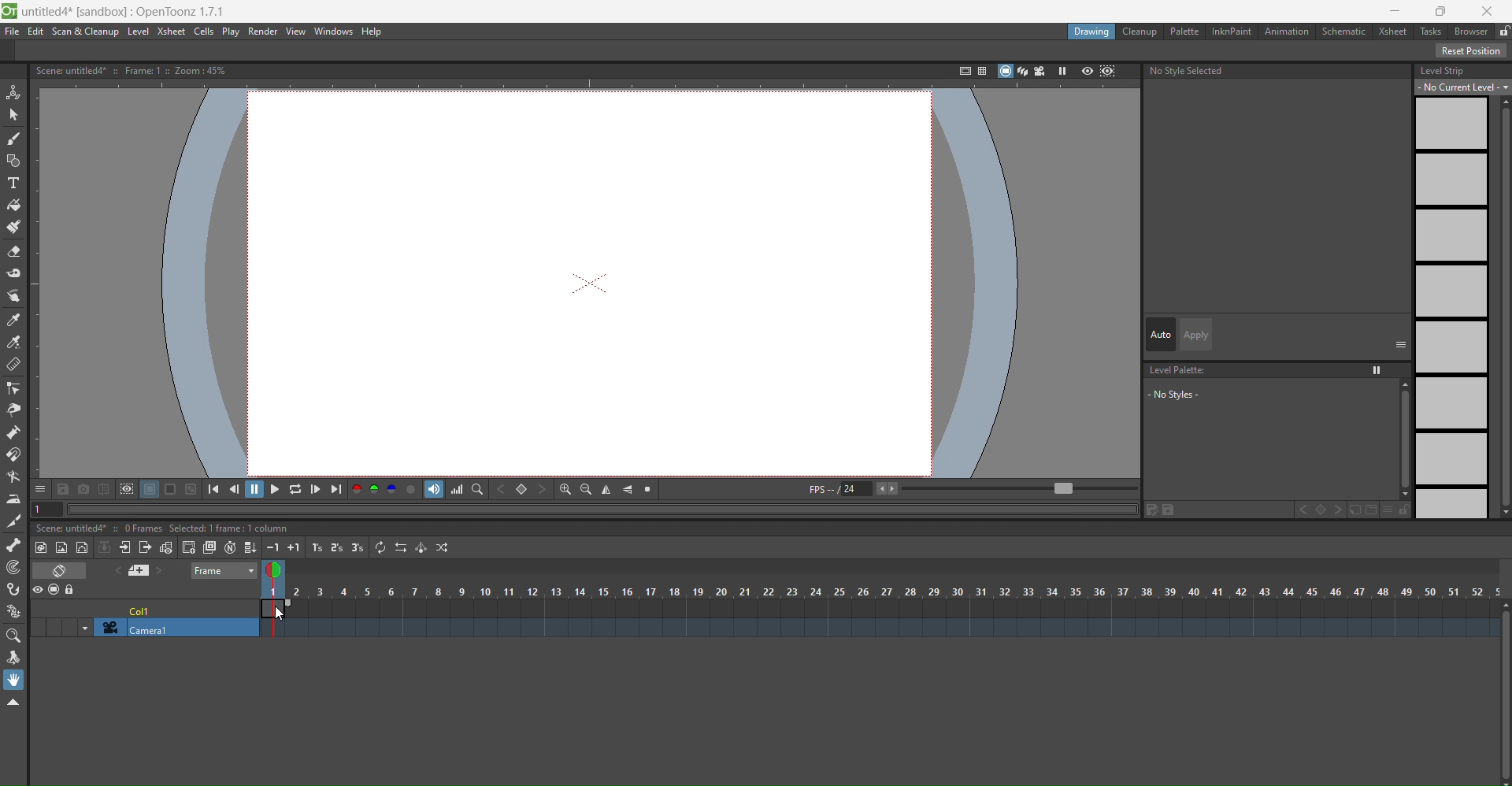  I want to click on no current level, so click(1464, 87).